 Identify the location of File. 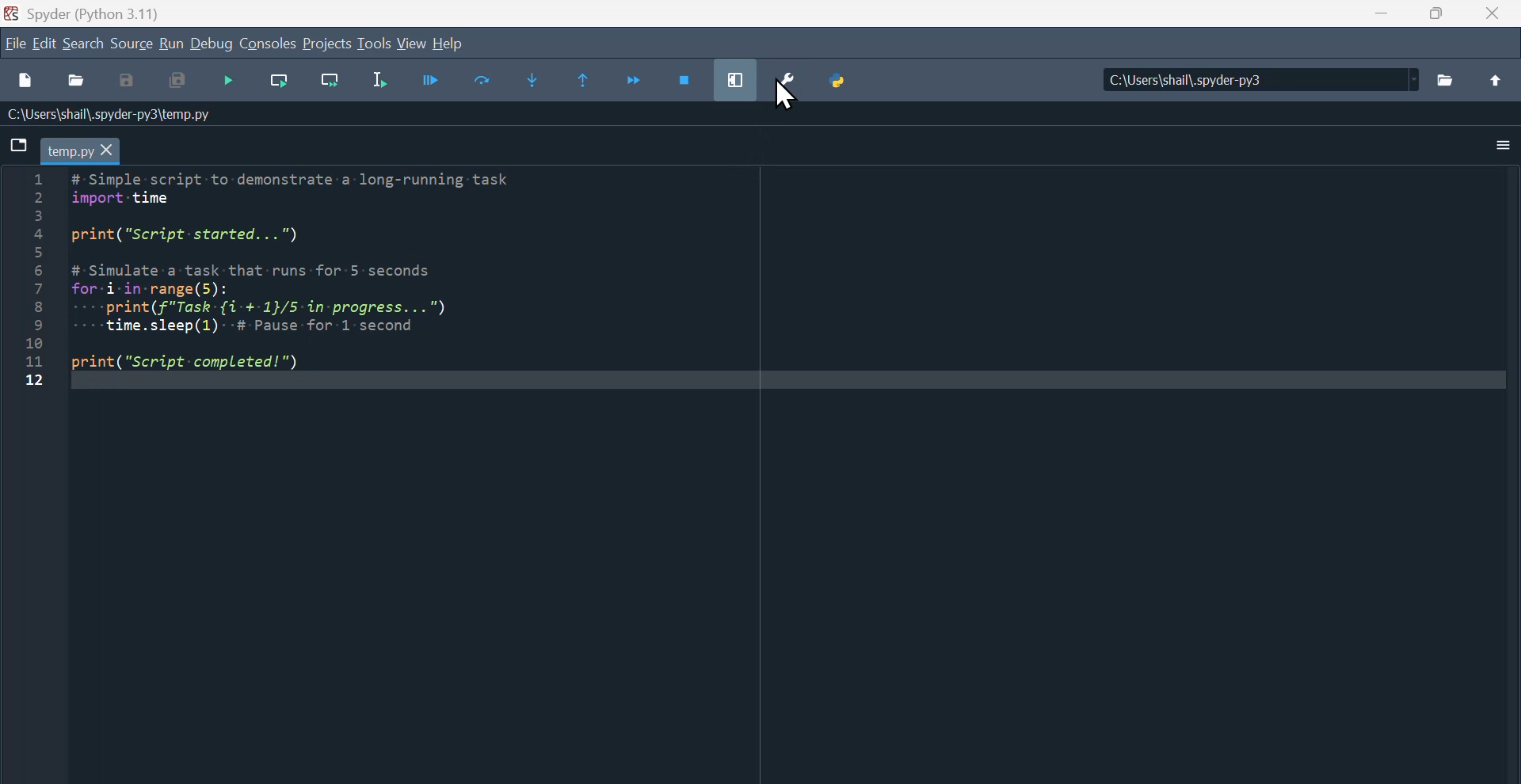
(13, 43).